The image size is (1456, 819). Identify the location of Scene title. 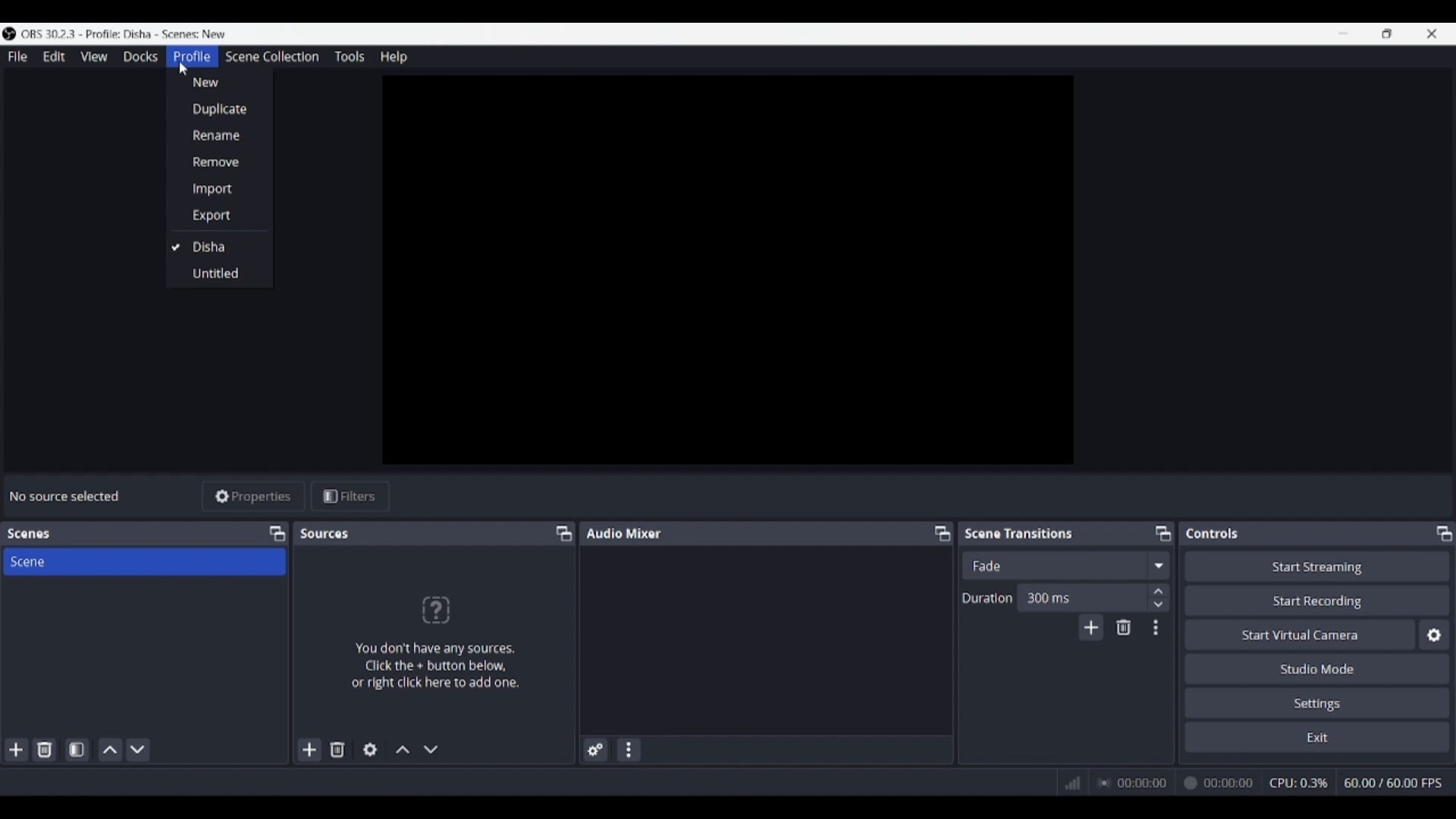
(144, 561).